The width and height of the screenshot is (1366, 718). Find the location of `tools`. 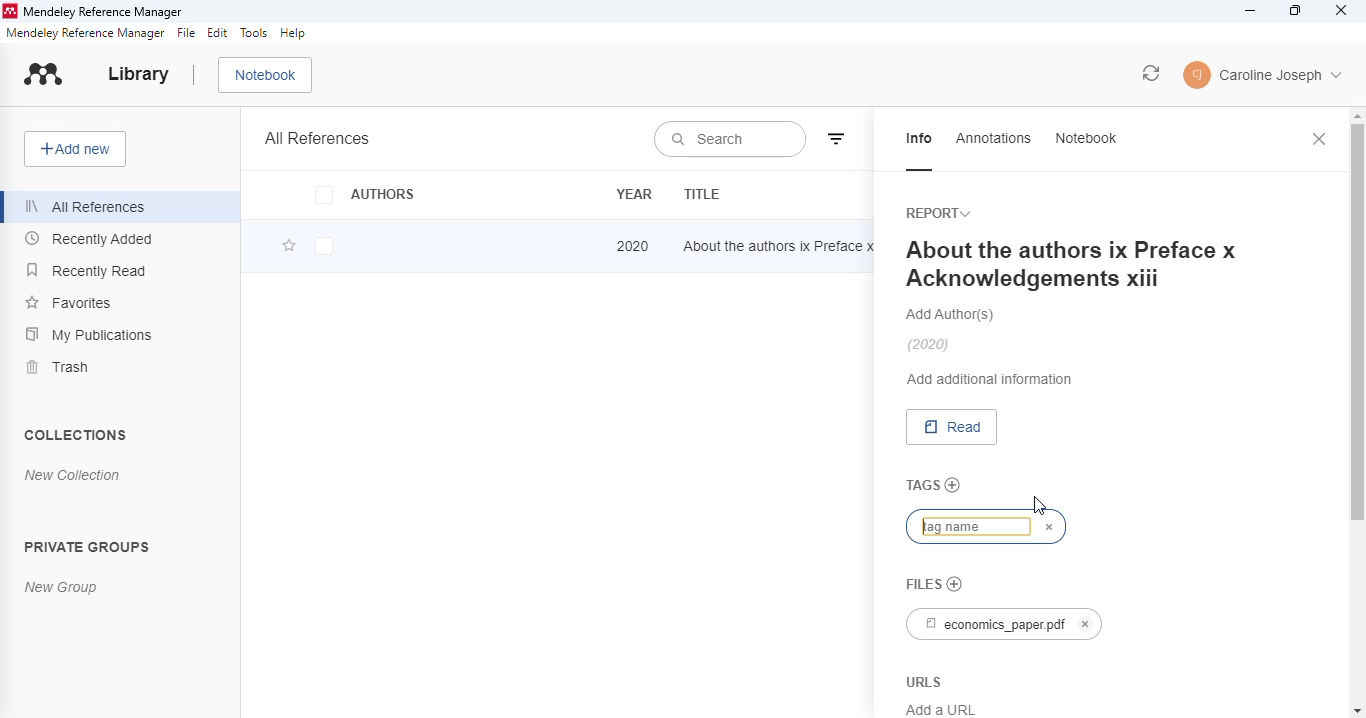

tools is located at coordinates (254, 33).